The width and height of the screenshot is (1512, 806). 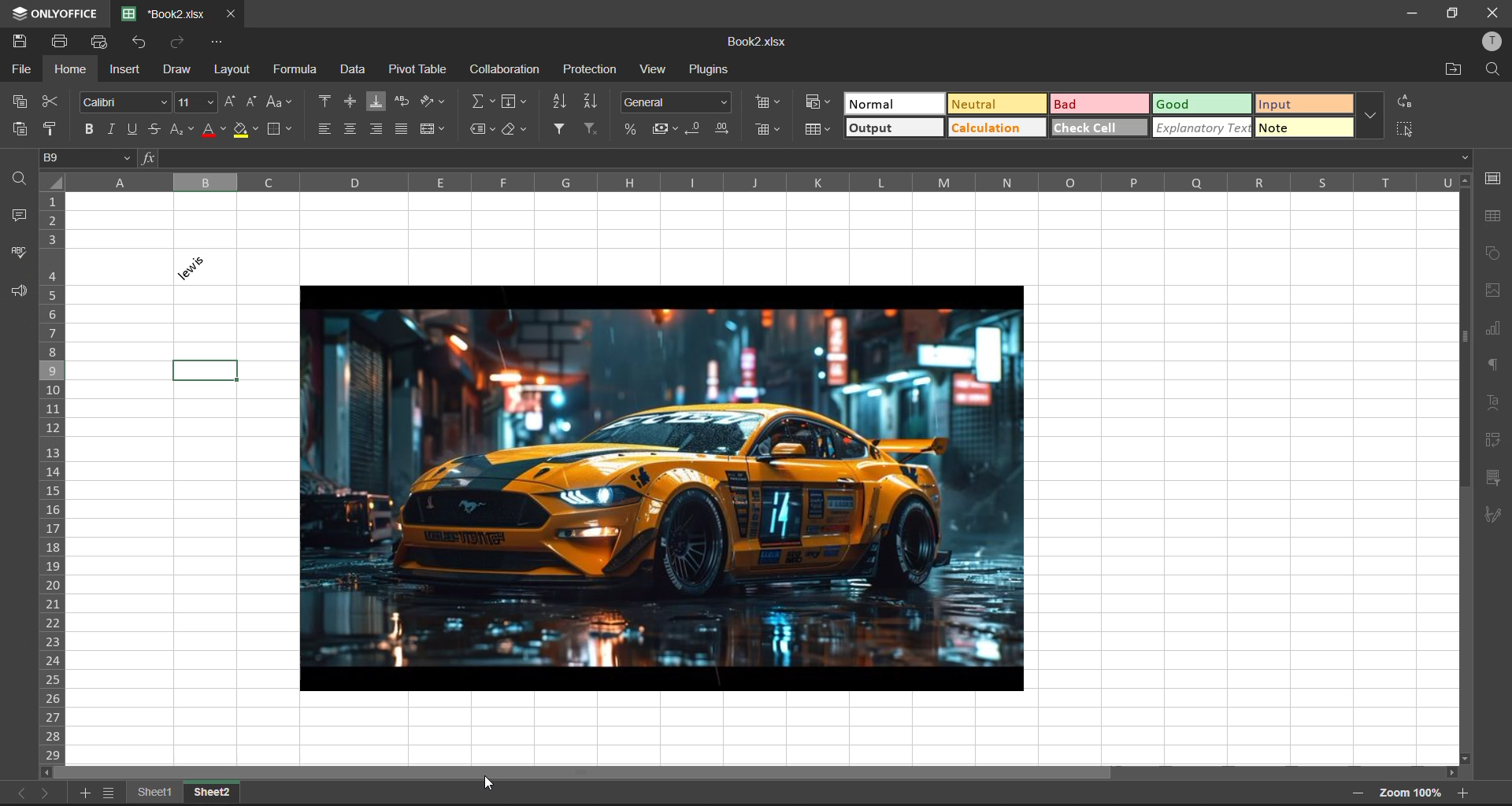 What do you see at coordinates (18, 793) in the screenshot?
I see `previous` at bounding box center [18, 793].